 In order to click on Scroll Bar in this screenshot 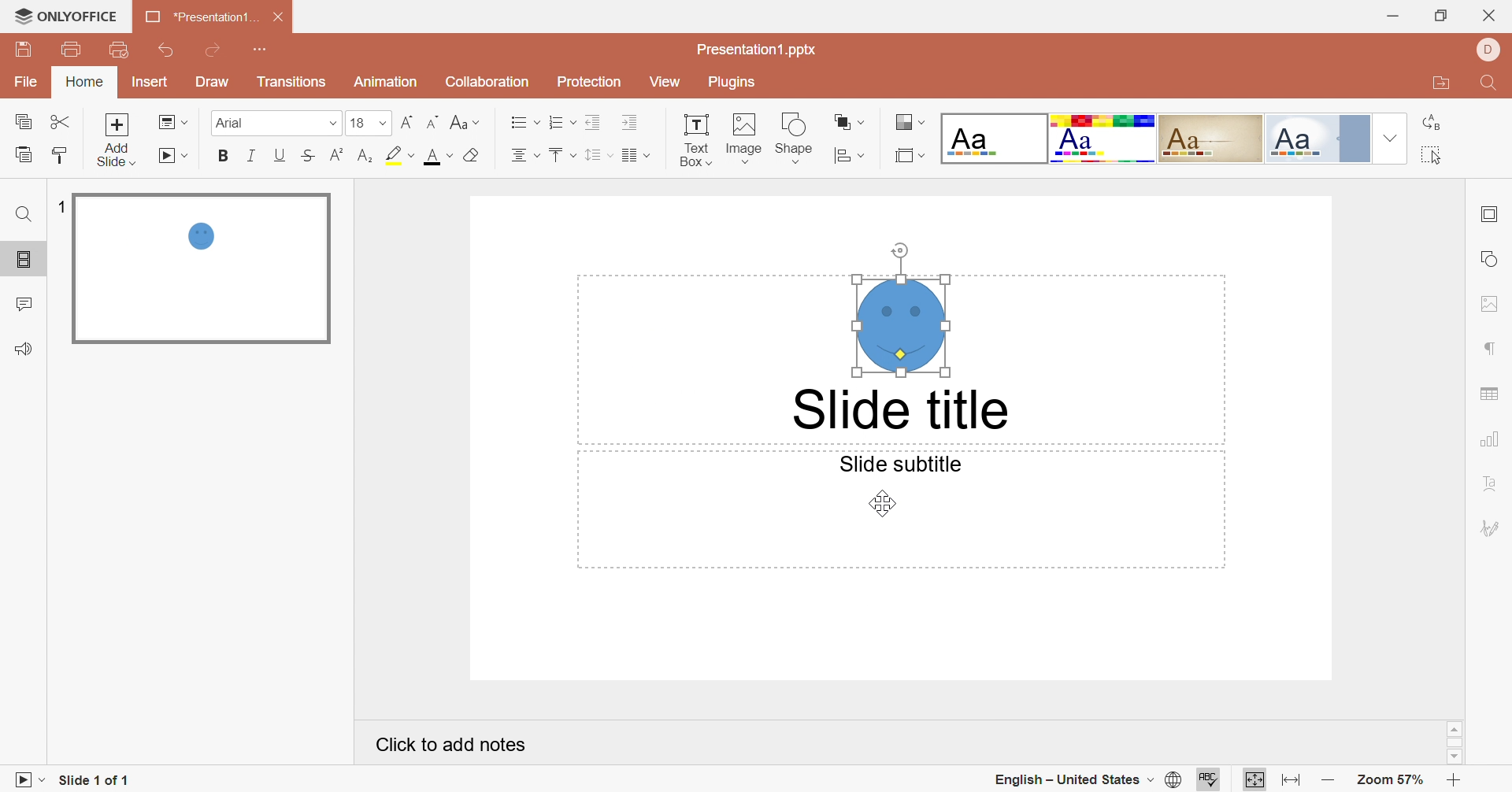, I will do `click(1454, 742)`.